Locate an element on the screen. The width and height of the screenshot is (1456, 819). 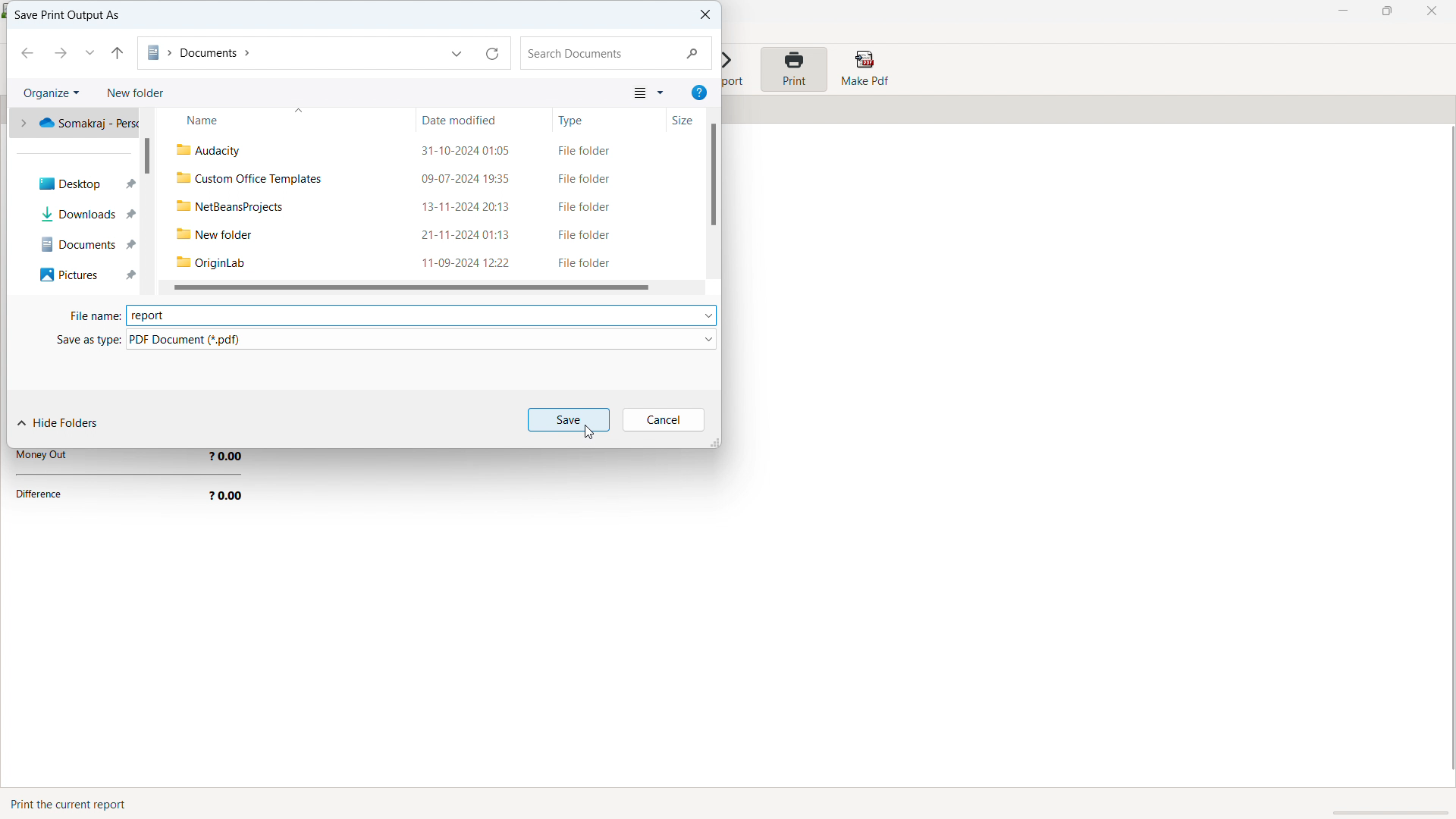
size is located at coordinates (673, 121).